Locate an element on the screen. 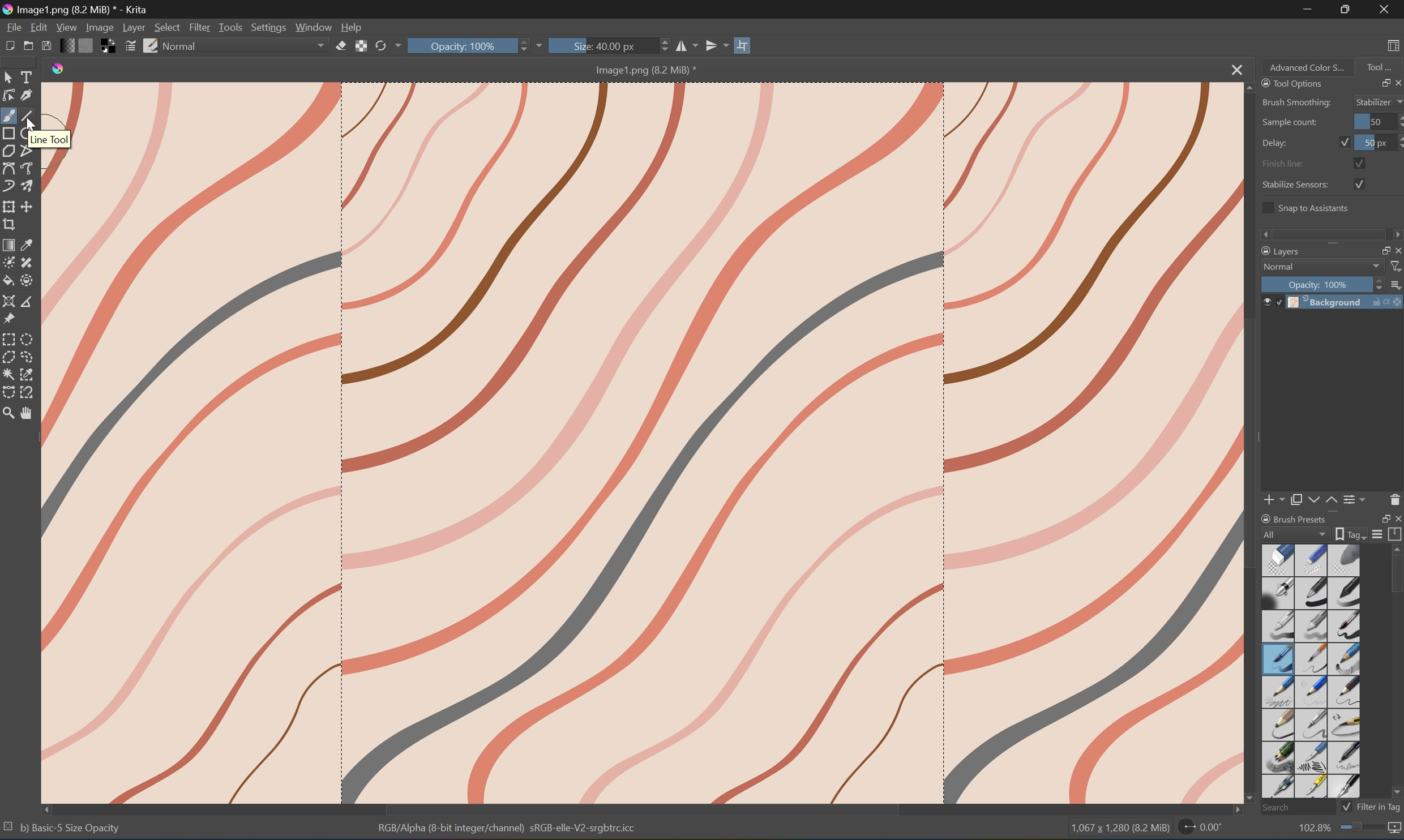 This screenshot has height=840, width=1404. Freehand path tool is located at coordinates (29, 166).